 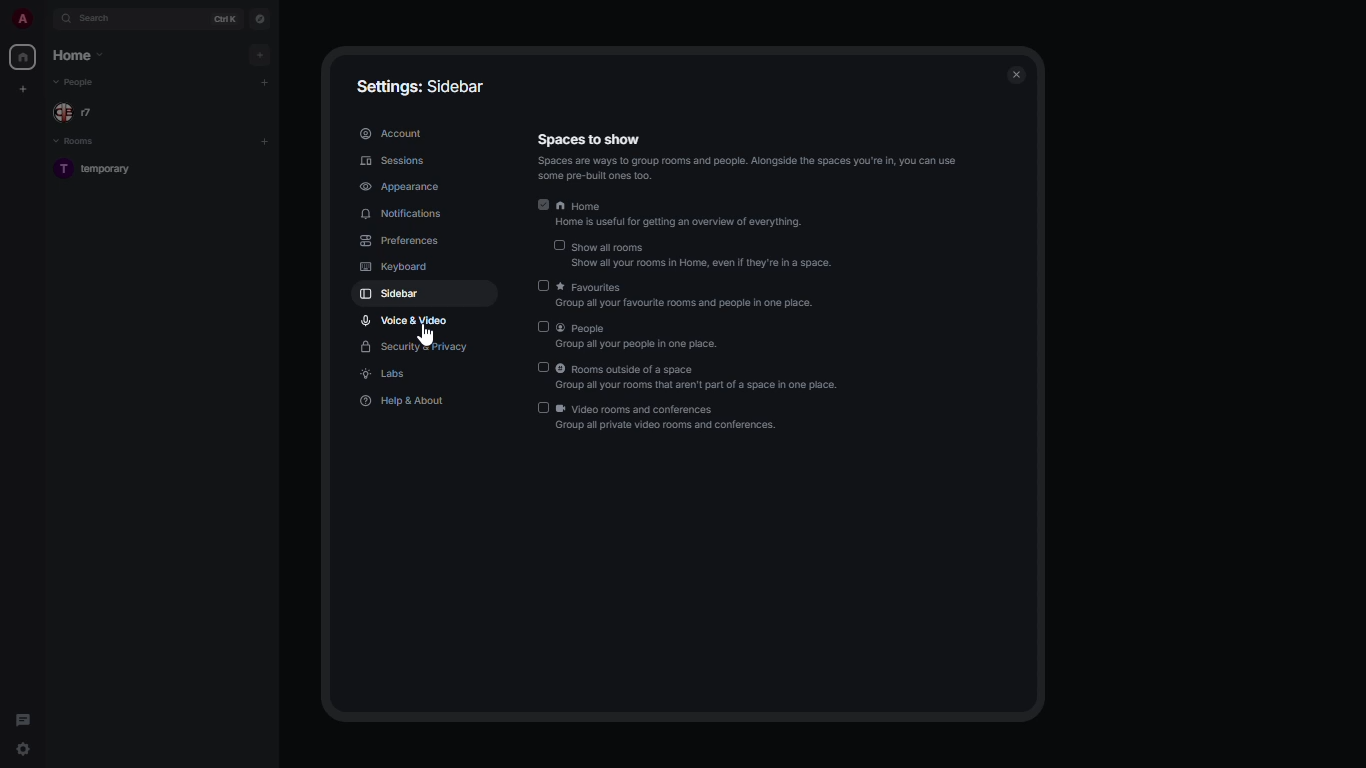 What do you see at coordinates (427, 337) in the screenshot?
I see `cursor` at bounding box center [427, 337].